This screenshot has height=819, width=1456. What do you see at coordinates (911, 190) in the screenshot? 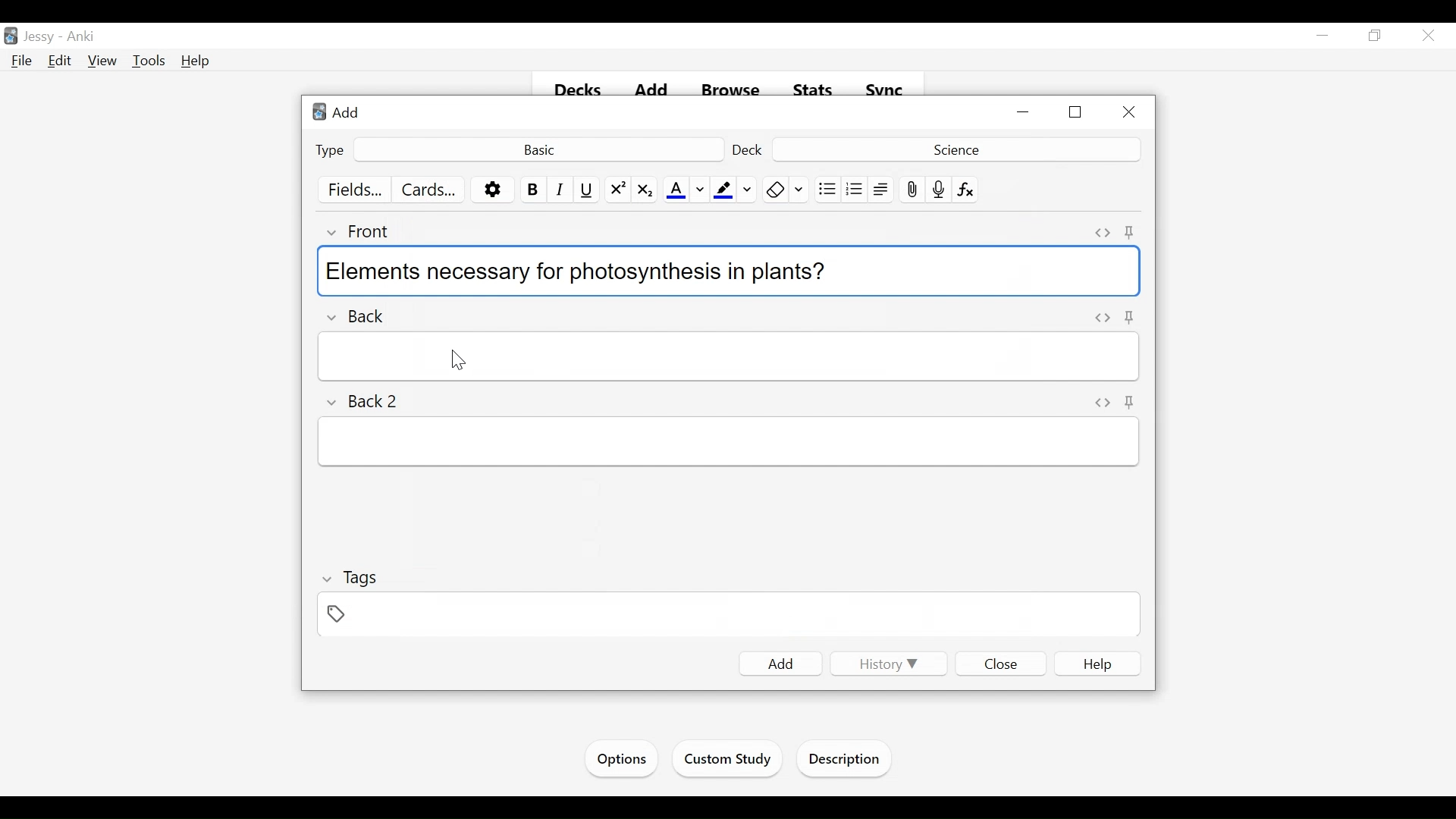
I see `Upload pictures/images/ files` at bounding box center [911, 190].